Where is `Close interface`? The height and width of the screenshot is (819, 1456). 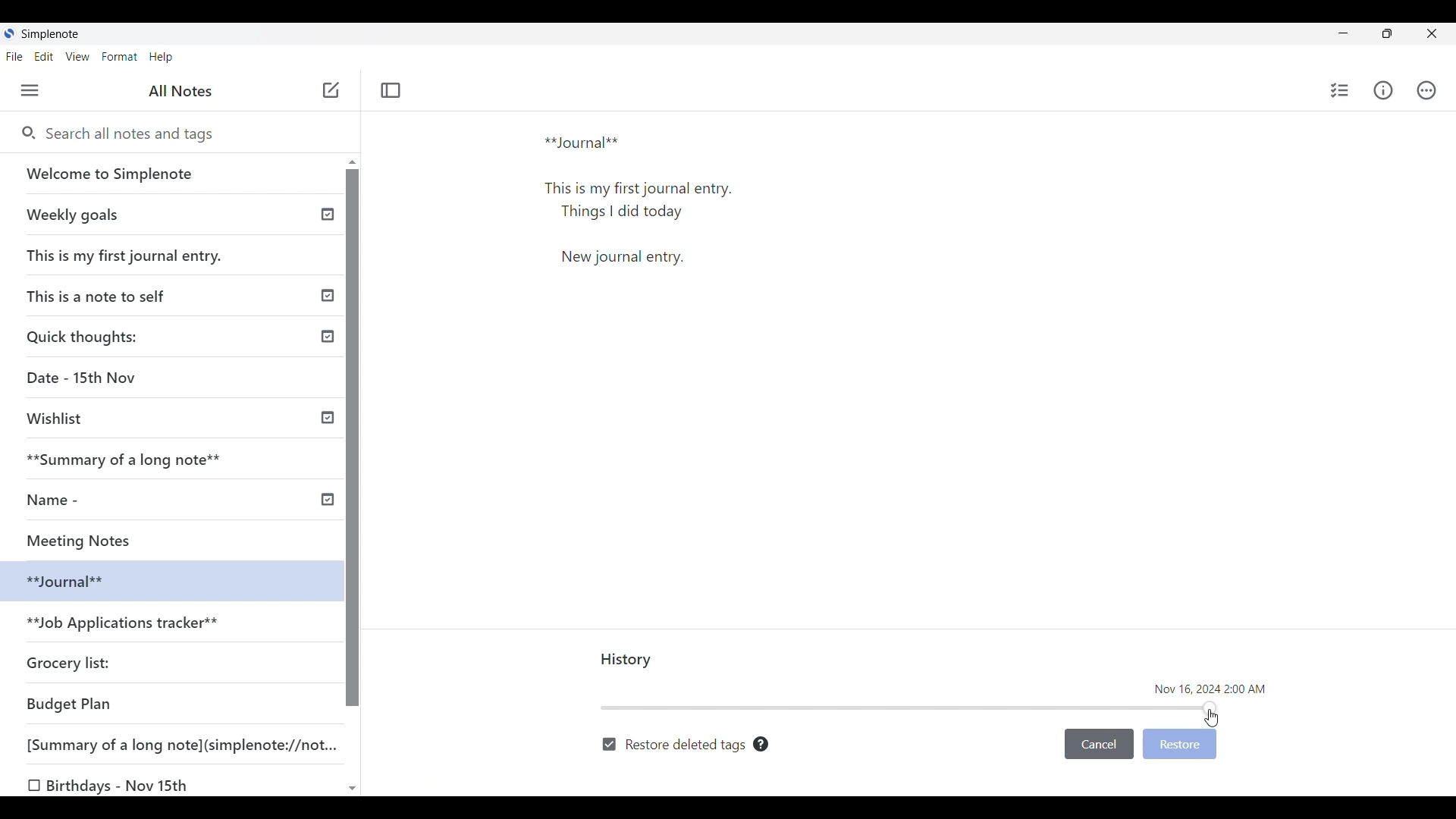
Close interface is located at coordinates (1431, 33).